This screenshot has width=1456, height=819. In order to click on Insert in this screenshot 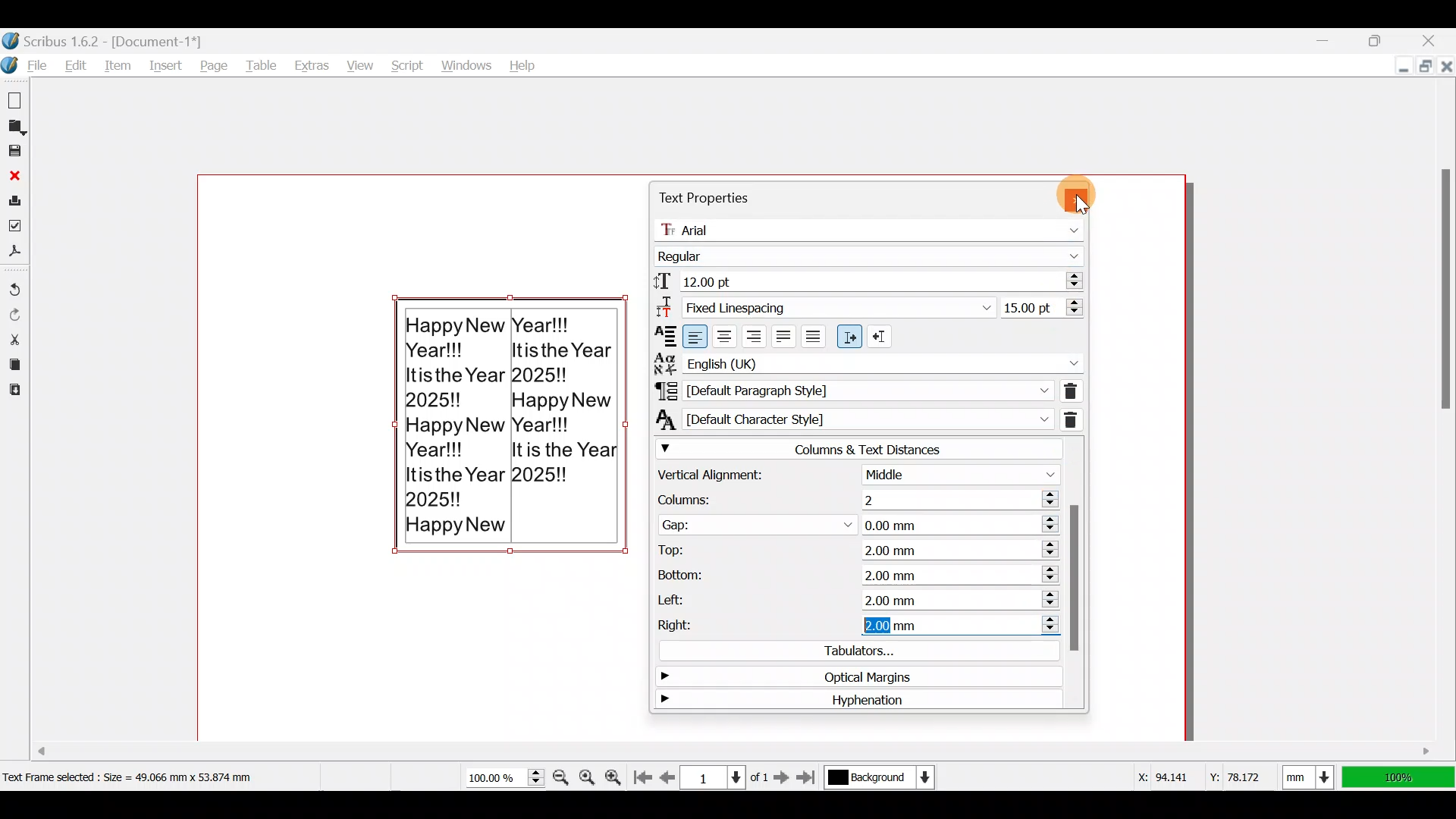, I will do `click(168, 65)`.